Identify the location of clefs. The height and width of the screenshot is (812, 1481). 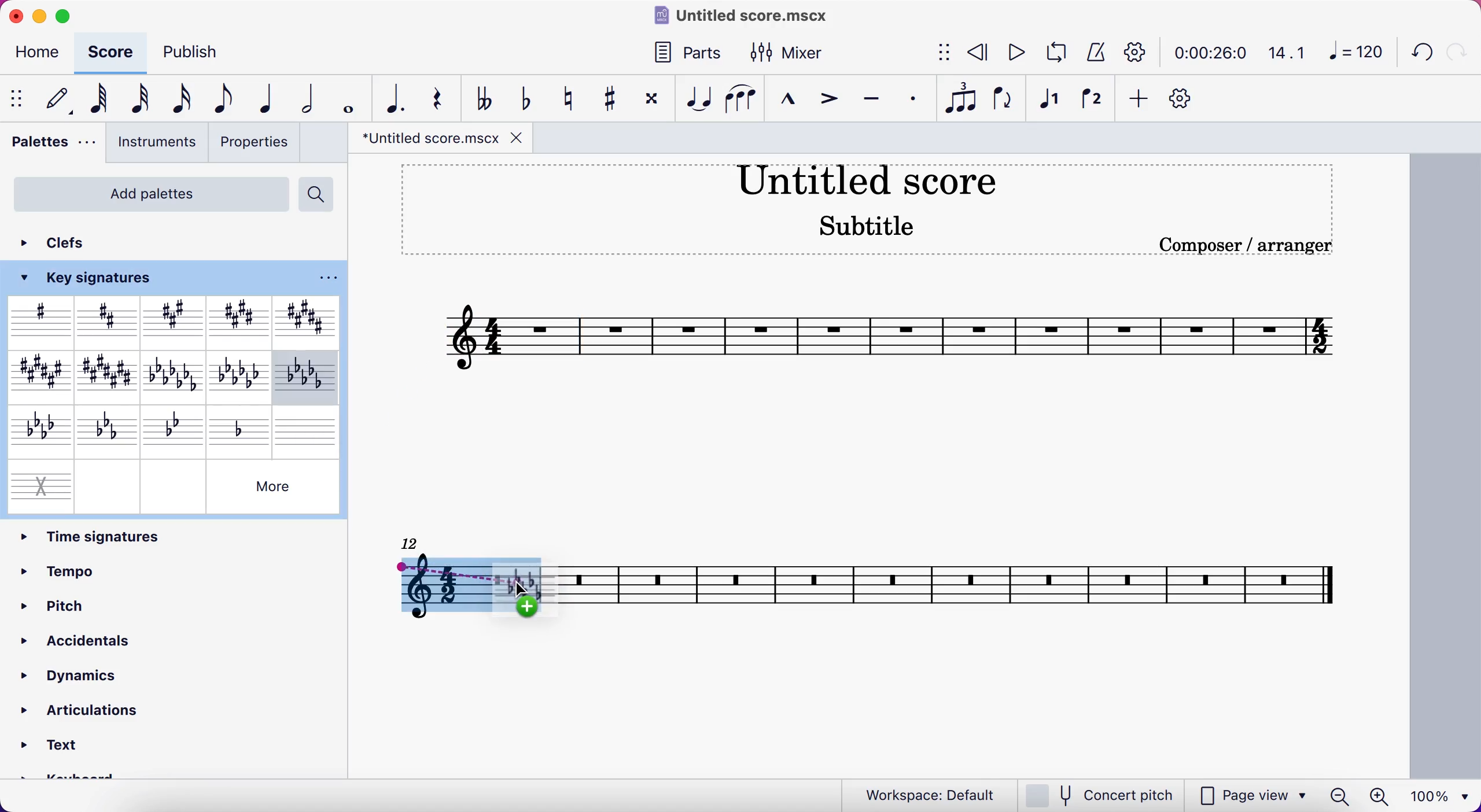
(69, 243).